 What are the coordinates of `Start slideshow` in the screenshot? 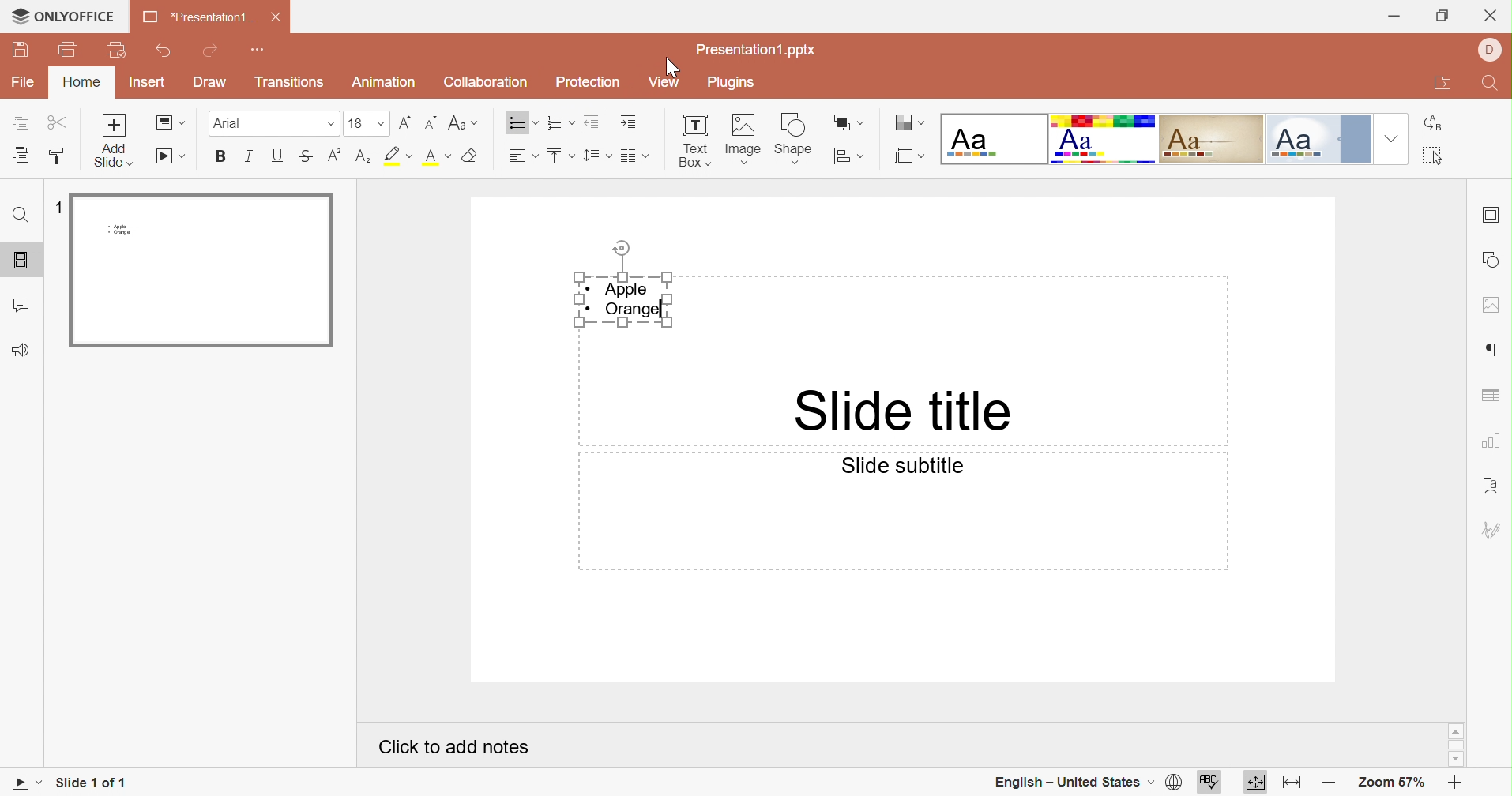 It's located at (23, 785).